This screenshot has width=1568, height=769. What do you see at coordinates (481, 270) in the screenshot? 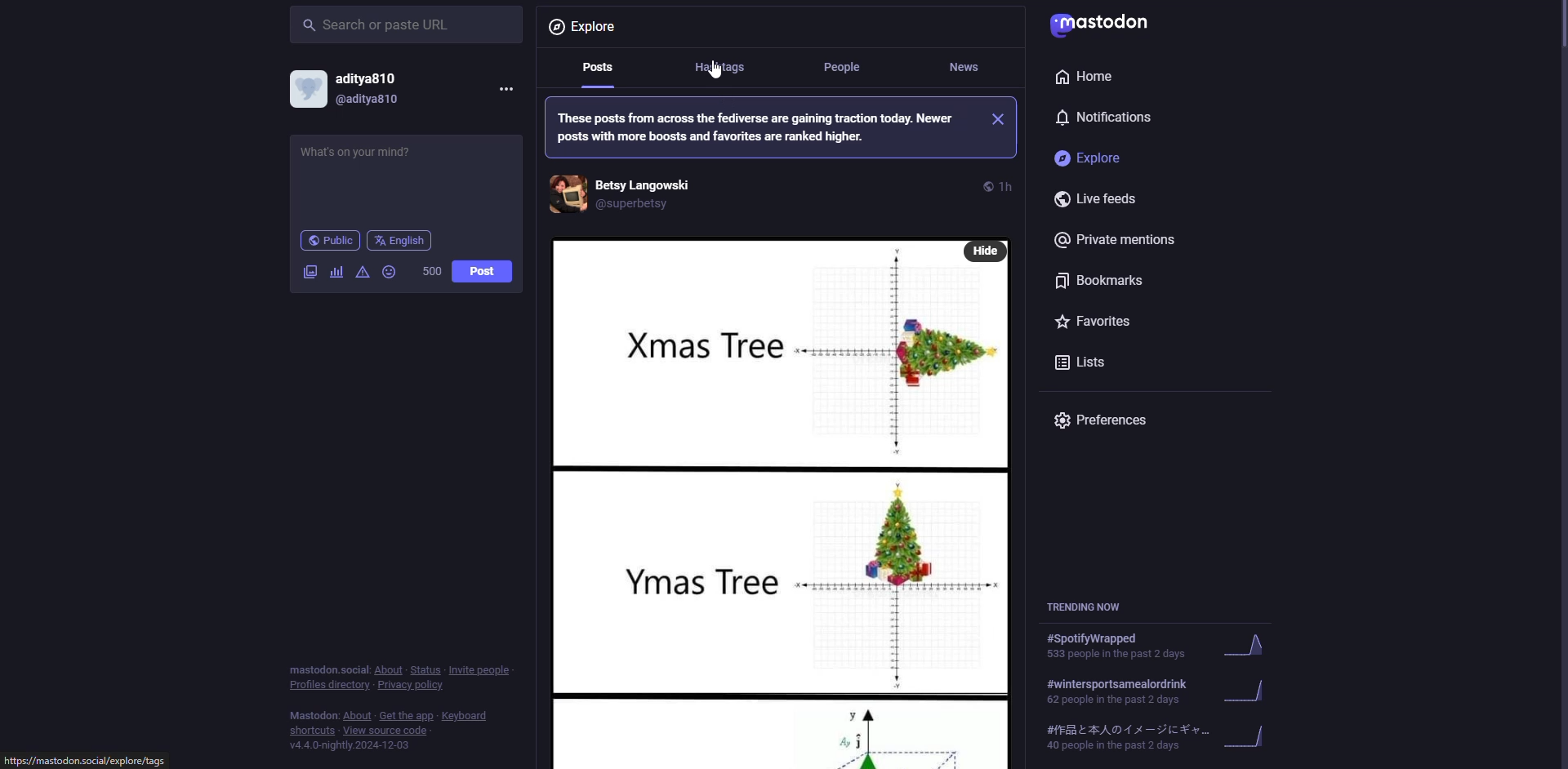
I see `post` at bounding box center [481, 270].